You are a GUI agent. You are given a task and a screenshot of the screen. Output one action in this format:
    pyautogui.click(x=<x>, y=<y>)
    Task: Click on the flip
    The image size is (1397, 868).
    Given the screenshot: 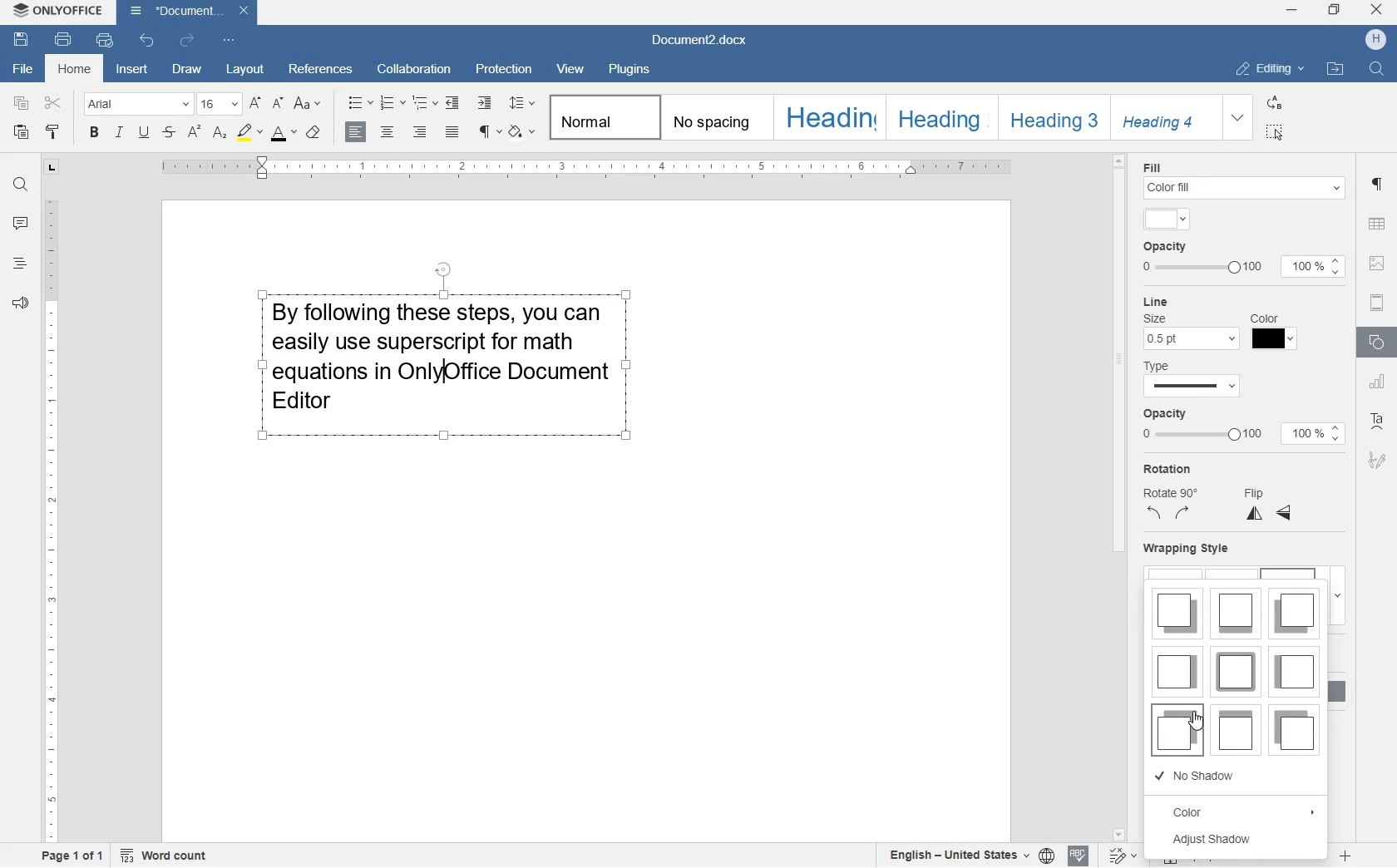 What is the action you would take?
    pyautogui.click(x=1267, y=507)
    